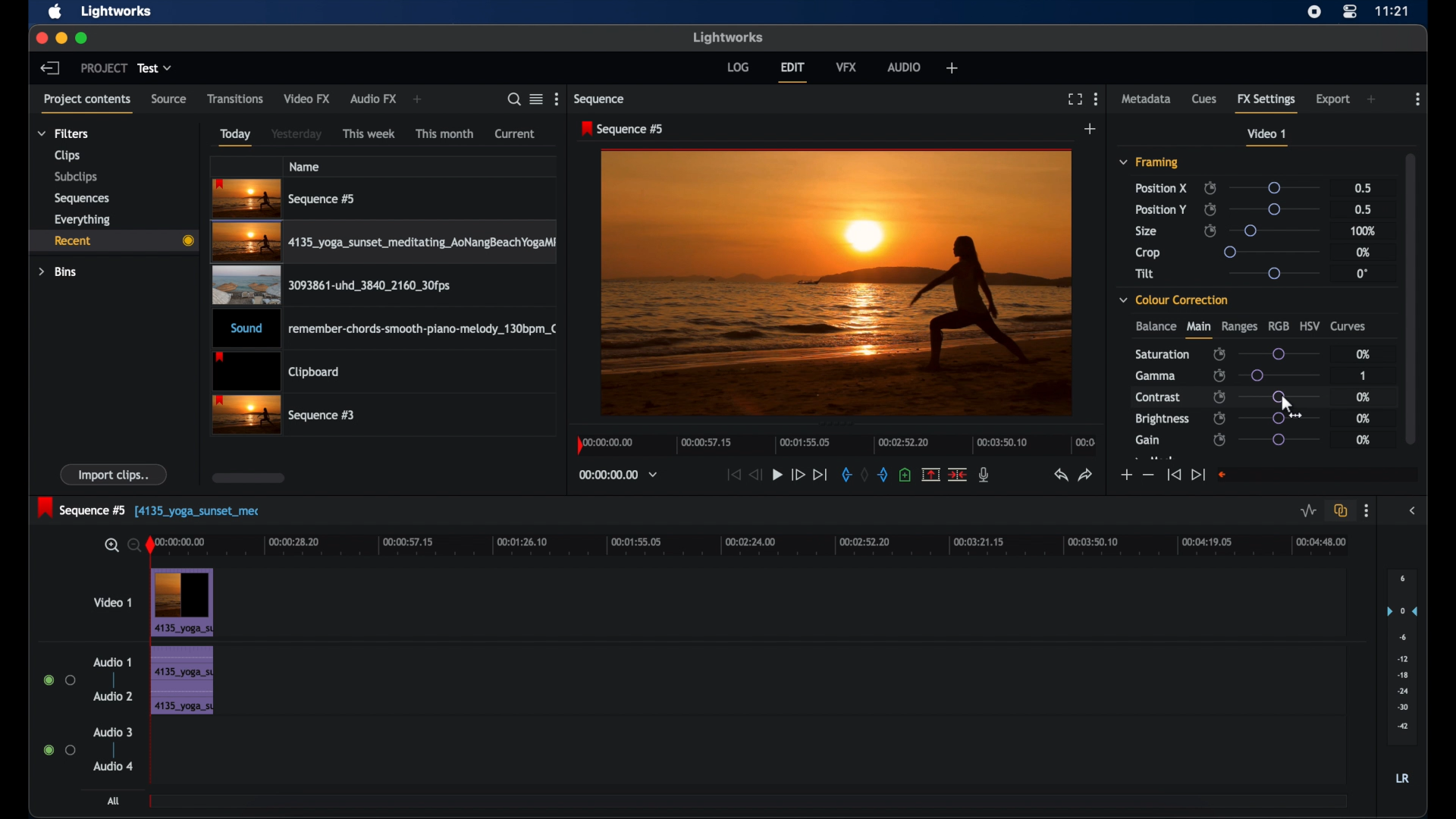 Image resolution: width=1456 pixels, height=819 pixels. What do you see at coordinates (1161, 419) in the screenshot?
I see `brightness` at bounding box center [1161, 419].